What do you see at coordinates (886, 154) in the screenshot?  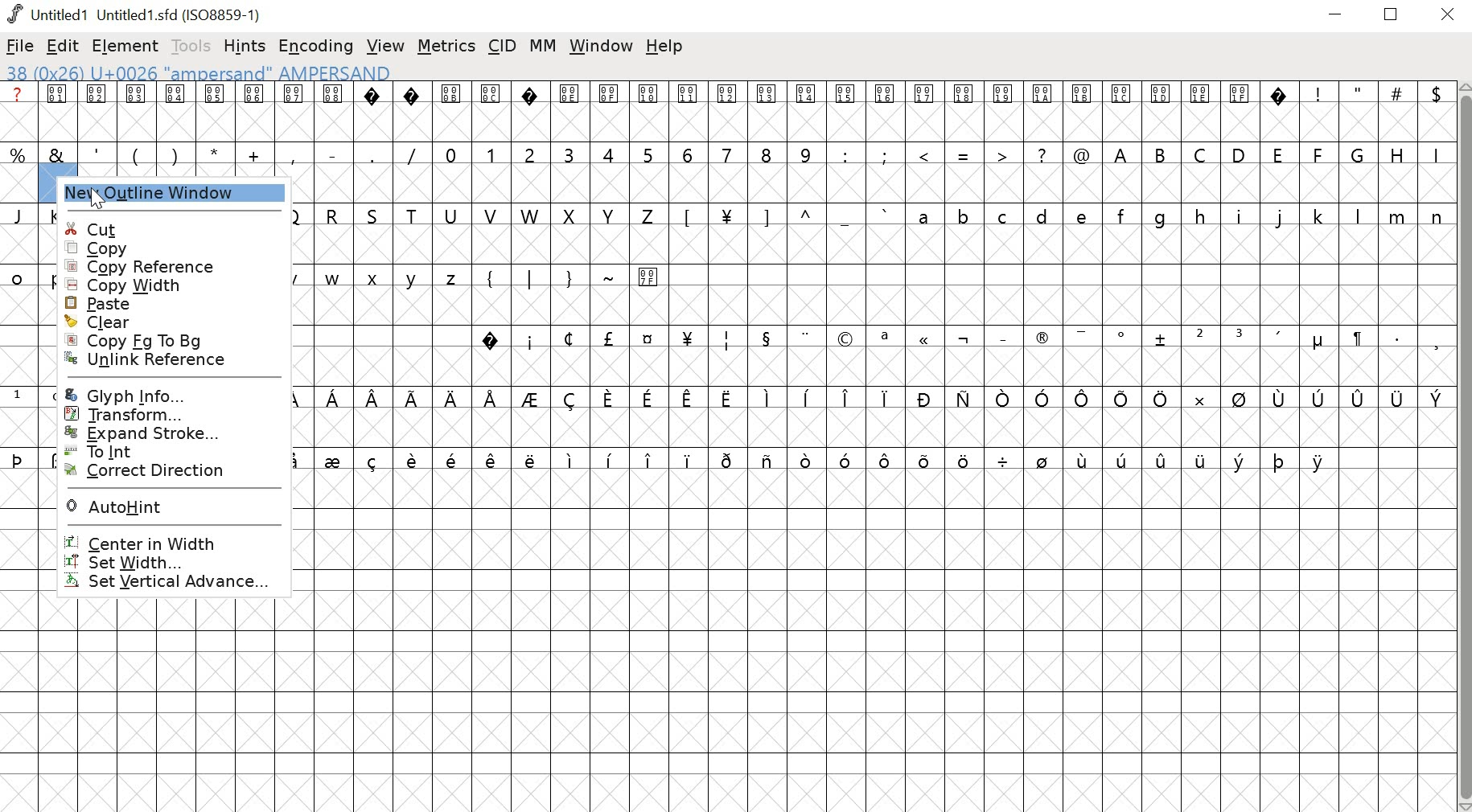 I see `;` at bounding box center [886, 154].